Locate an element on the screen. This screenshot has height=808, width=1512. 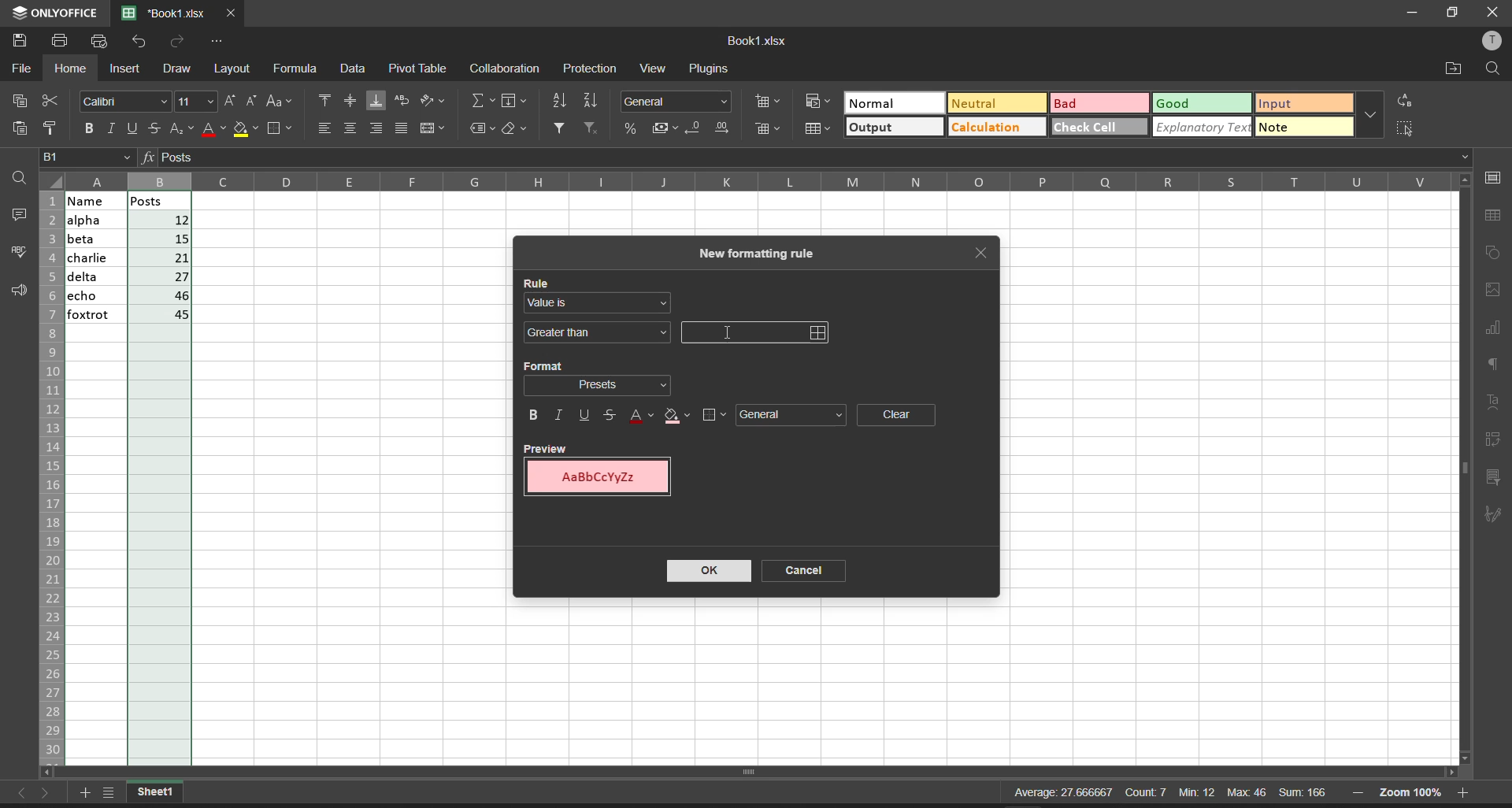
explanatory text is located at coordinates (1203, 128).